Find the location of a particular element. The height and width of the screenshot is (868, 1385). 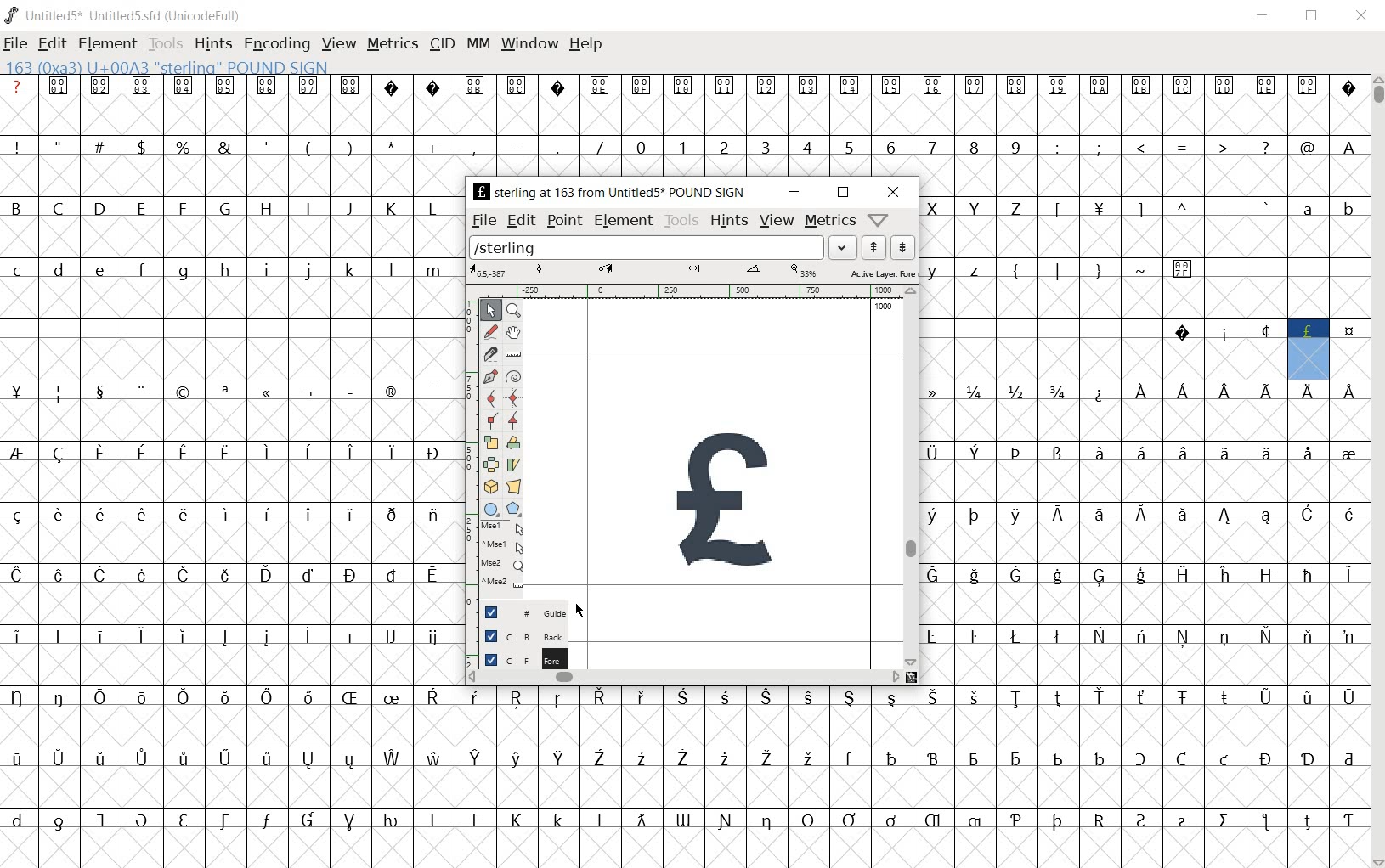

Symbol is located at coordinates (1182, 699).